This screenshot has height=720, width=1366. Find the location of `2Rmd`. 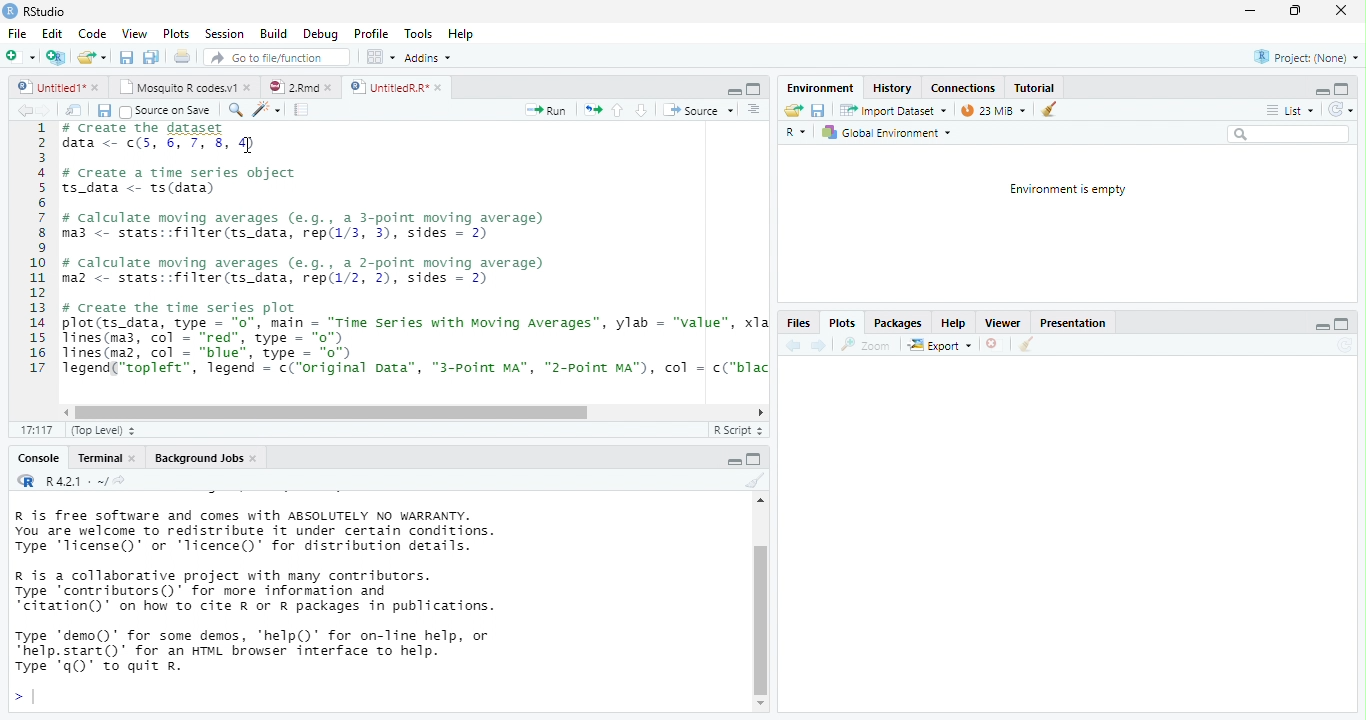

2Rmd is located at coordinates (291, 87).